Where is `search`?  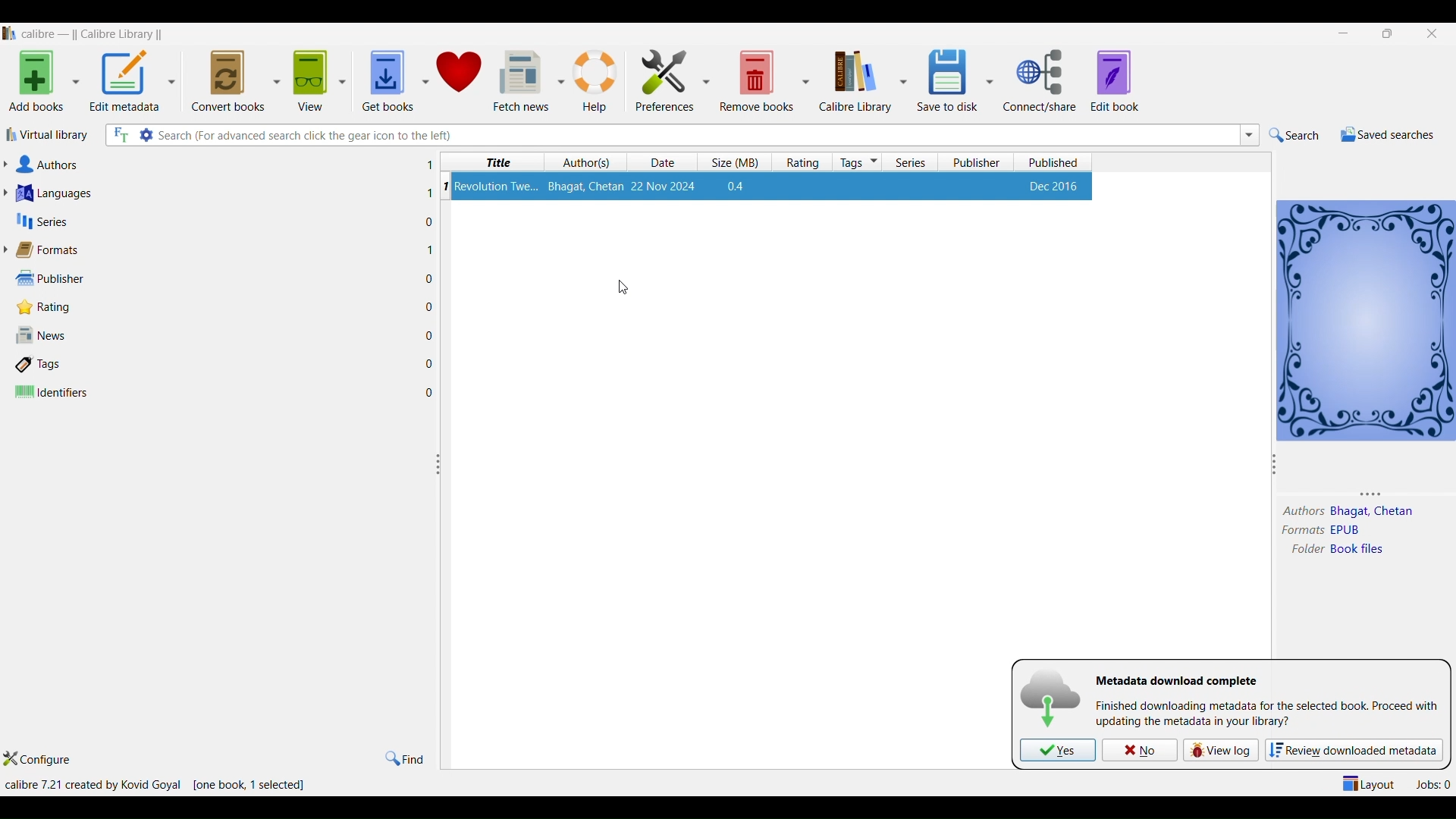
search is located at coordinates (1293, 134).